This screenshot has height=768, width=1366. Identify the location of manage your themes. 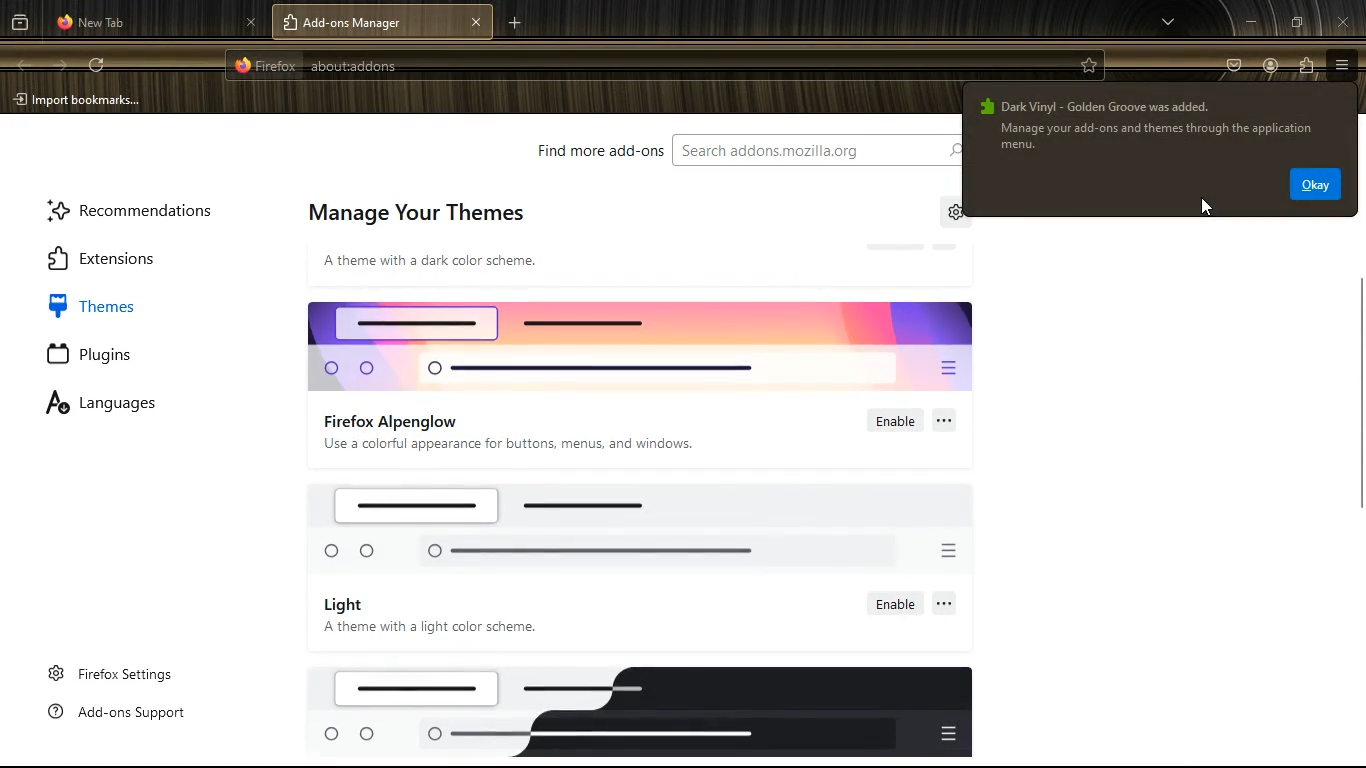
(416, 215).